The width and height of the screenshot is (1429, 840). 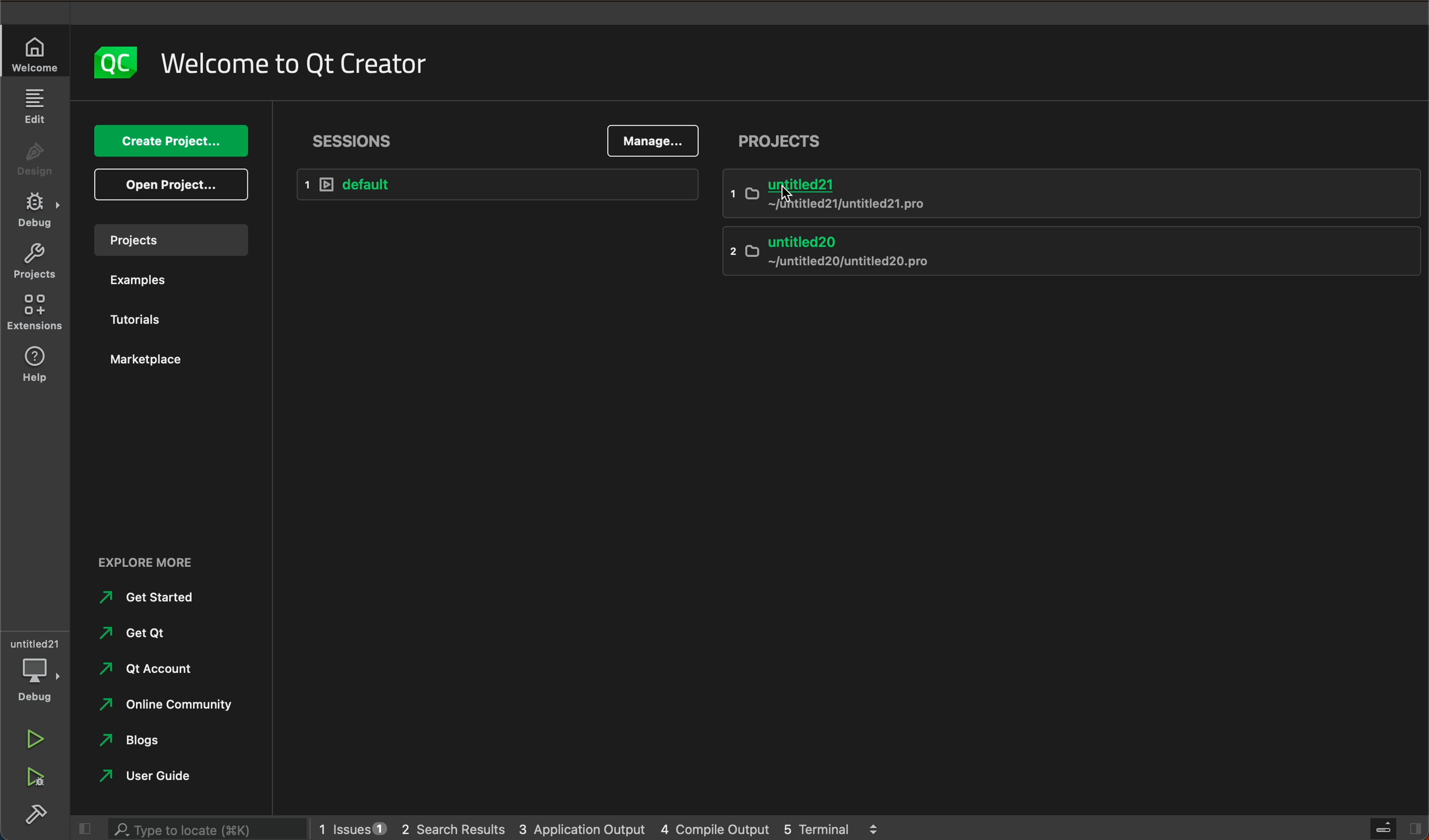 I want to click on projects, so click(x=172, y=240).